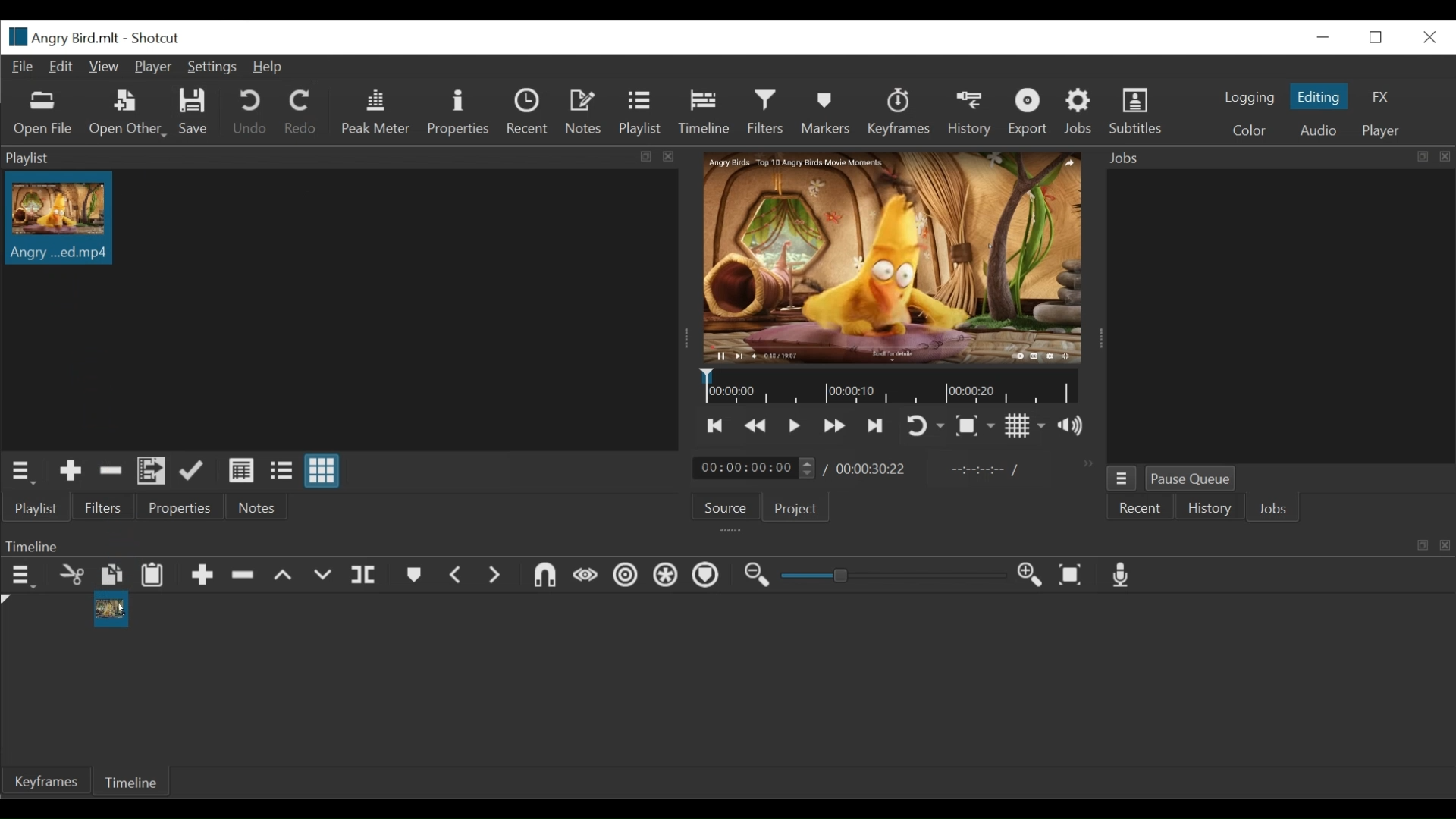 The image size is (1456, 819). What do you see at coordinates (894, 257) in the screenshot?
I see `Media Viewer` at bounding box center [894, 257].